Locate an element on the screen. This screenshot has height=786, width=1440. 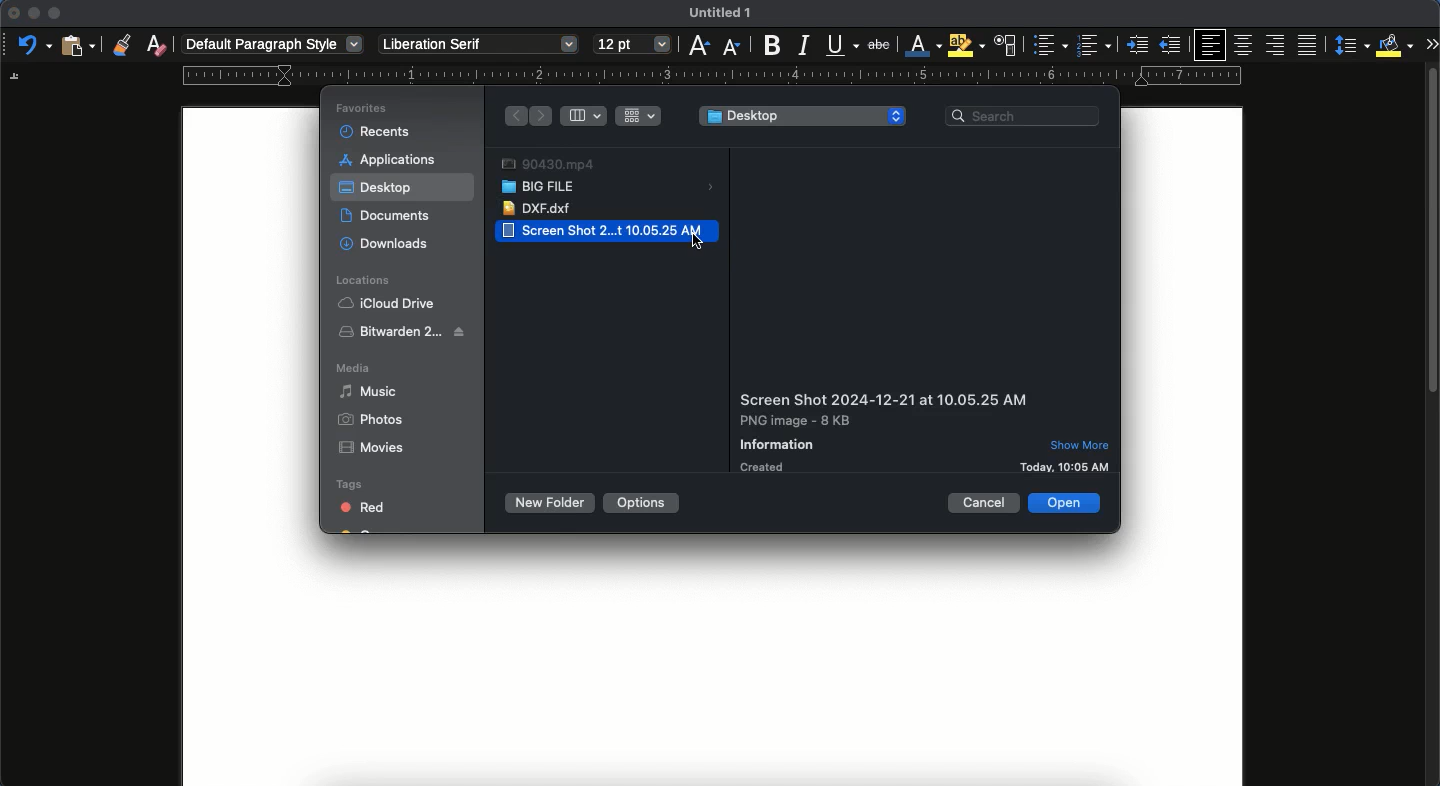
indented is located at coordinates (1136, 47).